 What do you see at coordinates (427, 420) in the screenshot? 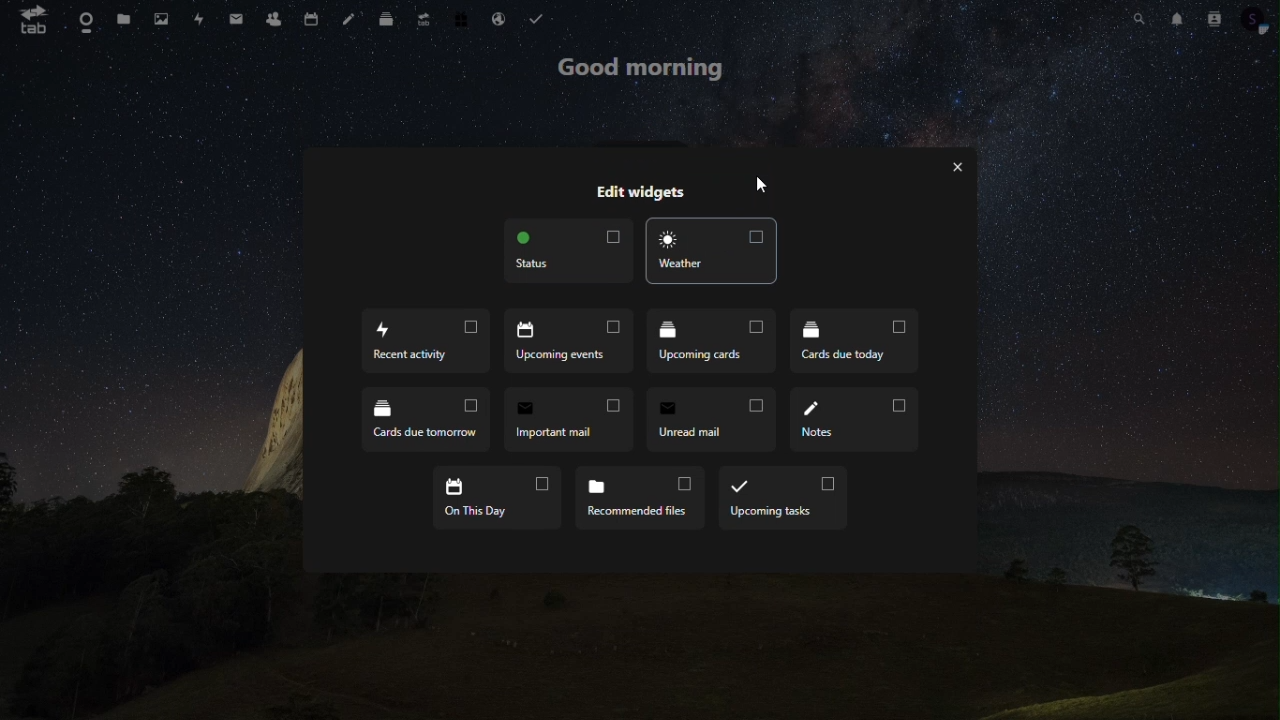
I see `cards due tomarrow` at bounding box center [427, 420].